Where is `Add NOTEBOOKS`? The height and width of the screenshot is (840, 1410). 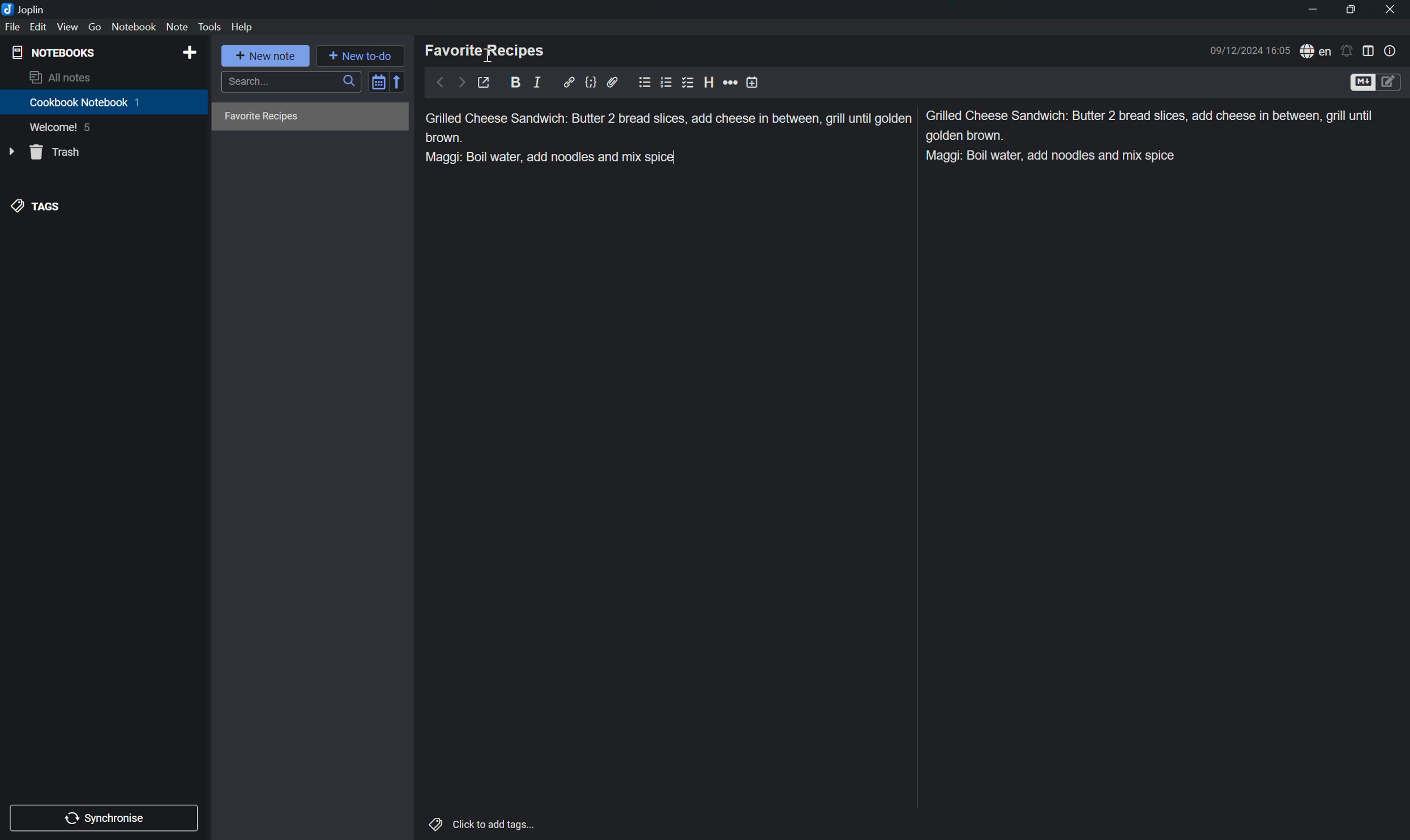 Add NOTEBOOKS is located at coordinates (190, 52).